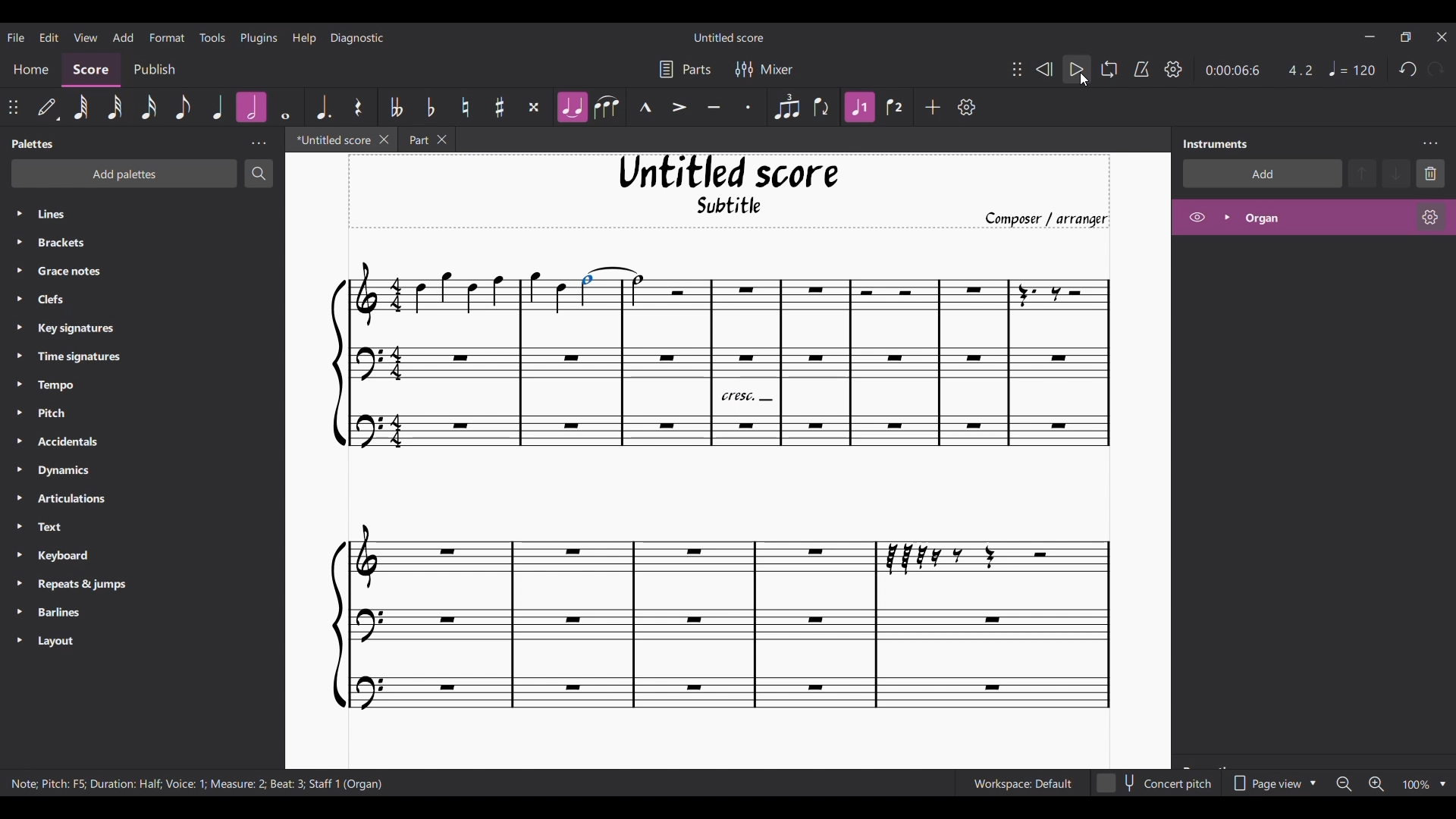  Describe the element at coordinates (645, 107) in the screenshot. I see `Marcato` at that location.